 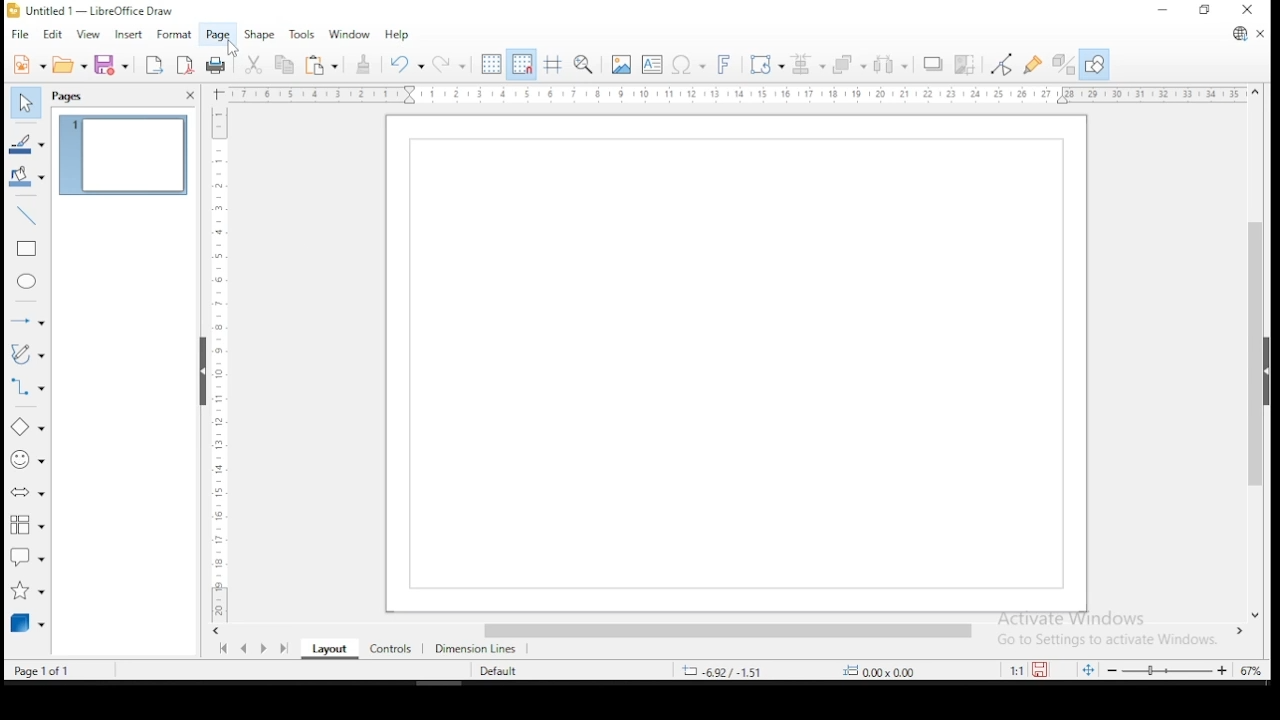 I want to click on transformations, so click(x=765, y=66).